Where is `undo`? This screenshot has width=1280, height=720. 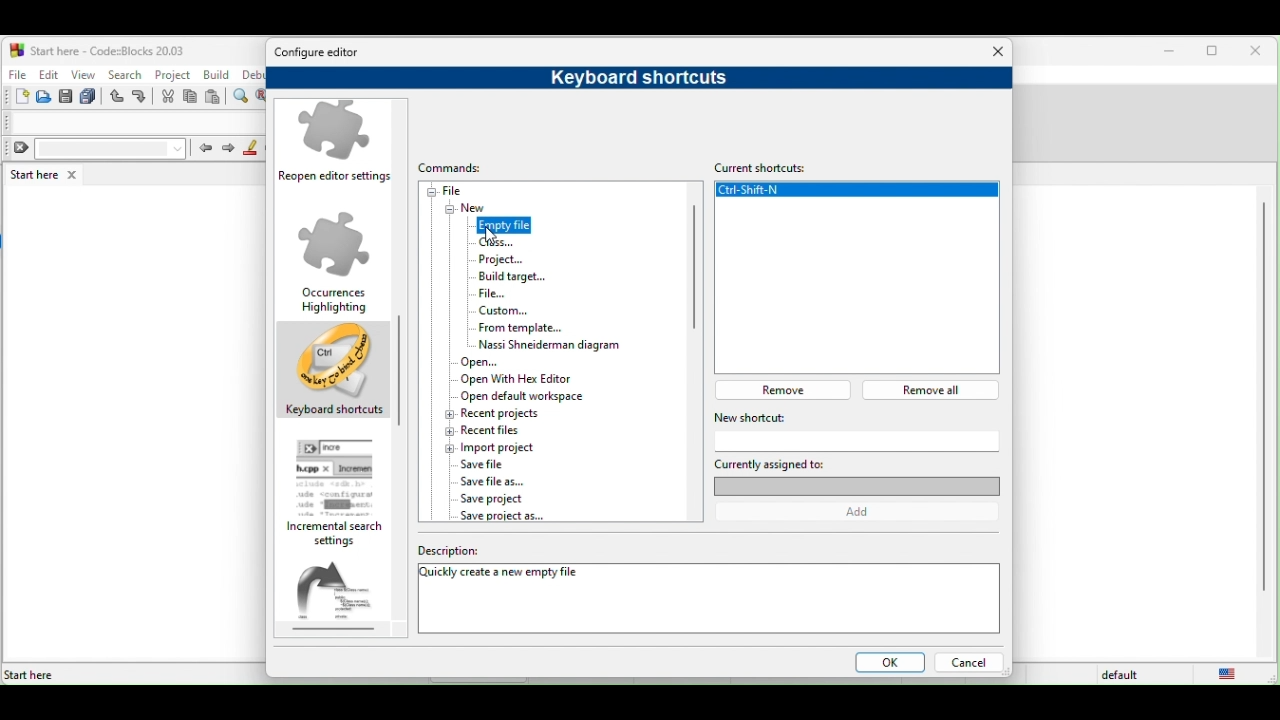 undo is located at coordinates (118, 97).